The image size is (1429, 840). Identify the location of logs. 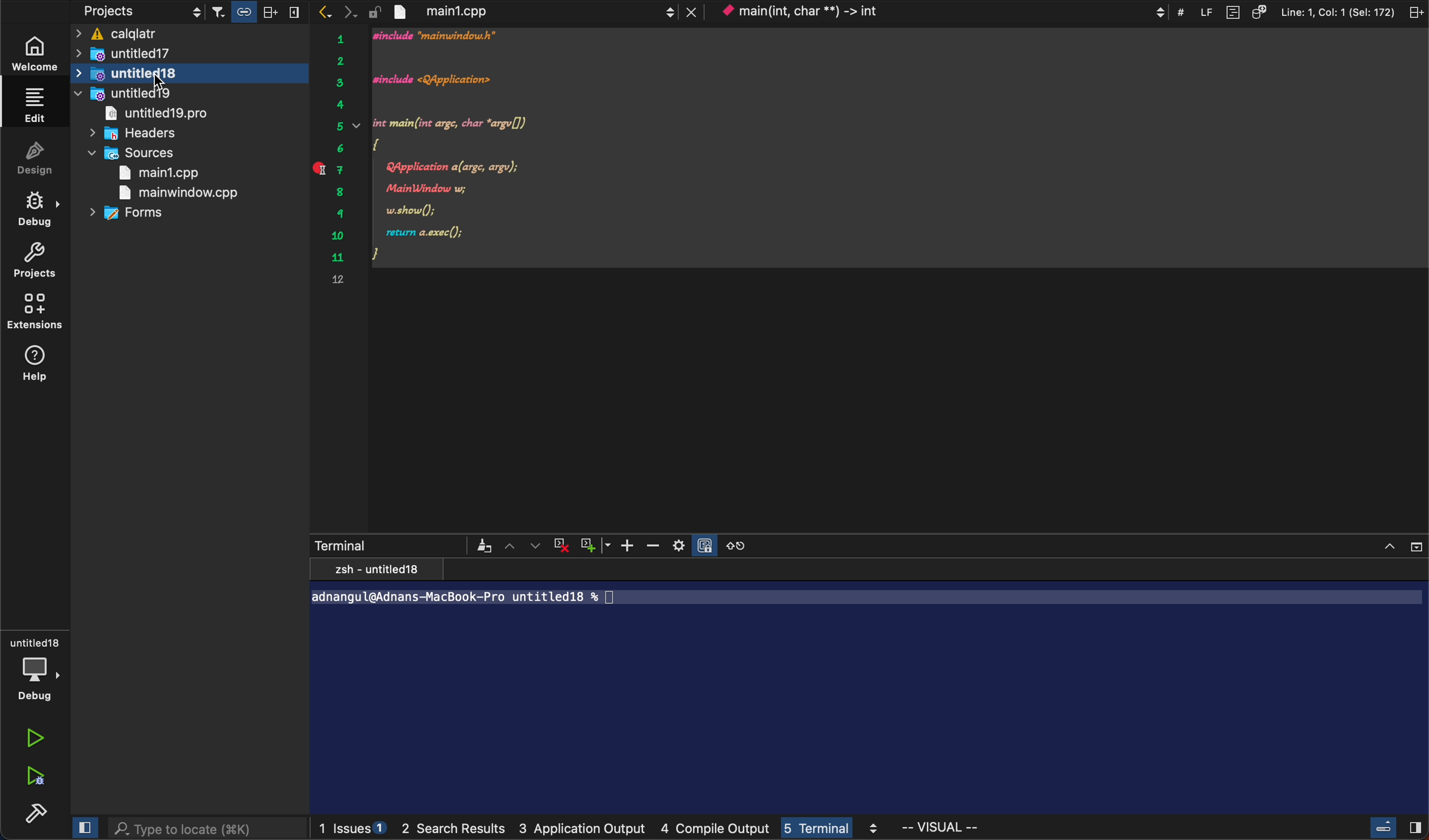
(603, 830).